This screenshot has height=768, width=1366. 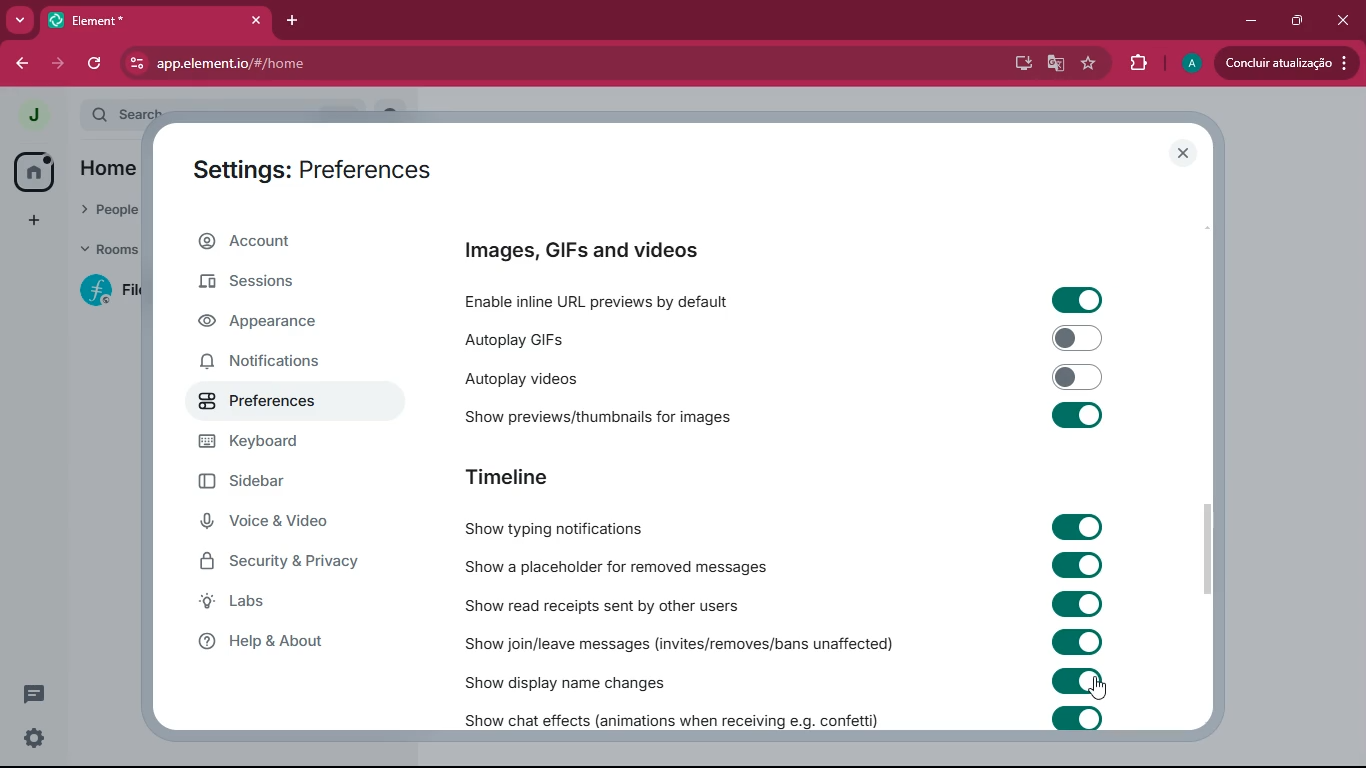 I want to click on labs, so click(x=271, y=601).